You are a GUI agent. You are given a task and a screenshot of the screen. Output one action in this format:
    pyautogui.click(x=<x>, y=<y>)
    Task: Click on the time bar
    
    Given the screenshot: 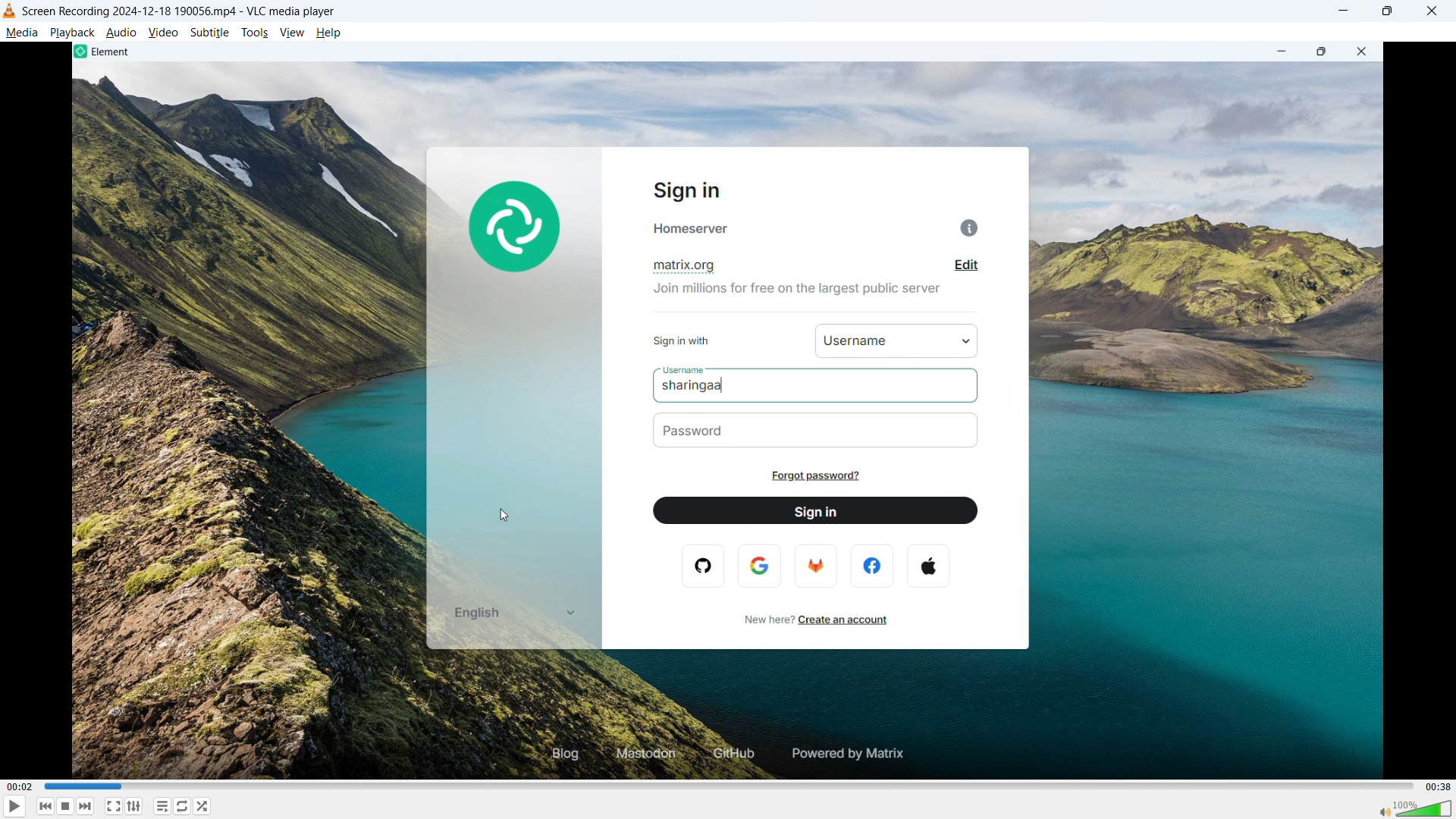 What is the action you would take?
    pyautogui.click(x=726, y=786)
    